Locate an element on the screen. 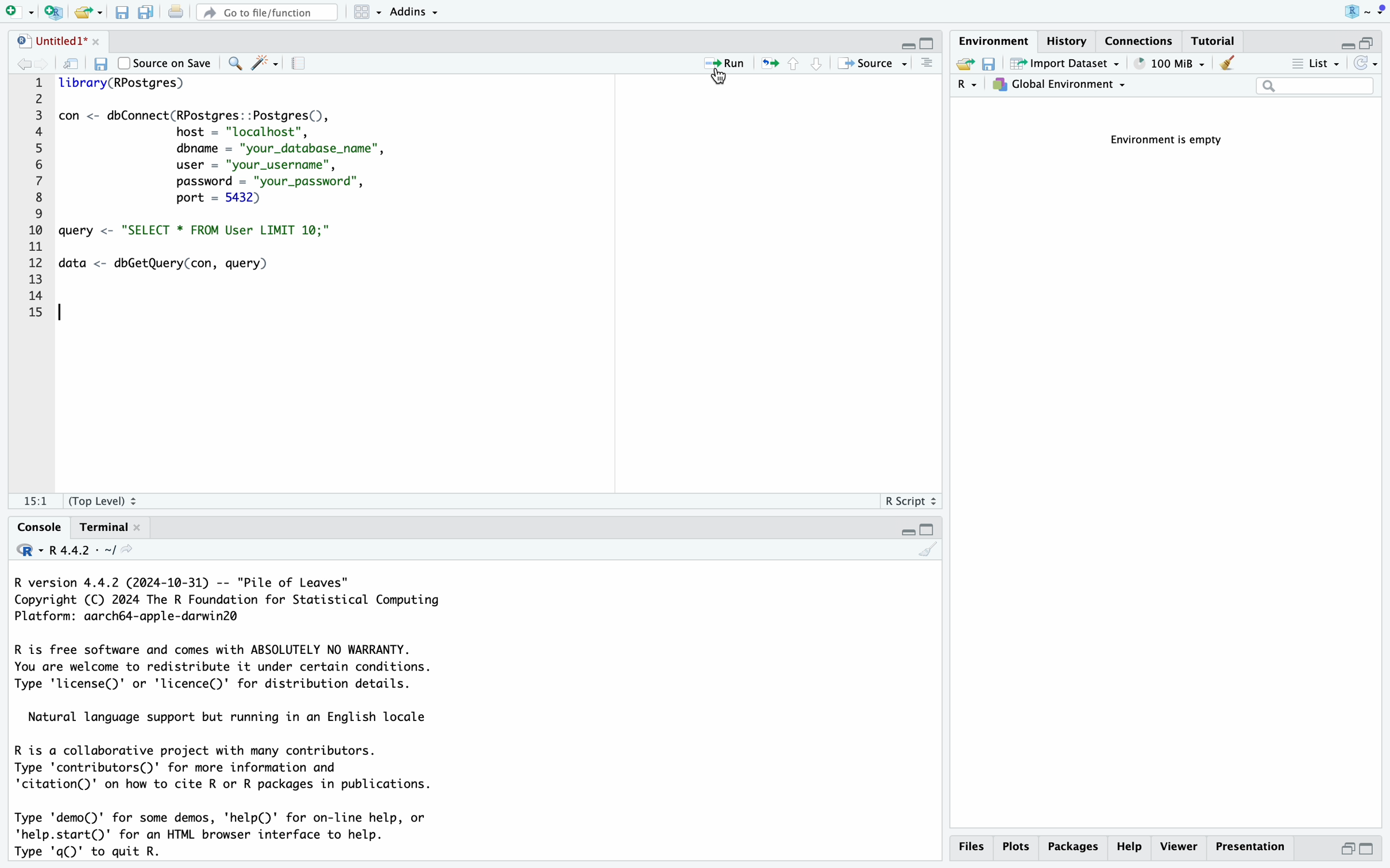 The image size is (1390, 868). new file is located at coordinates (17, 11).